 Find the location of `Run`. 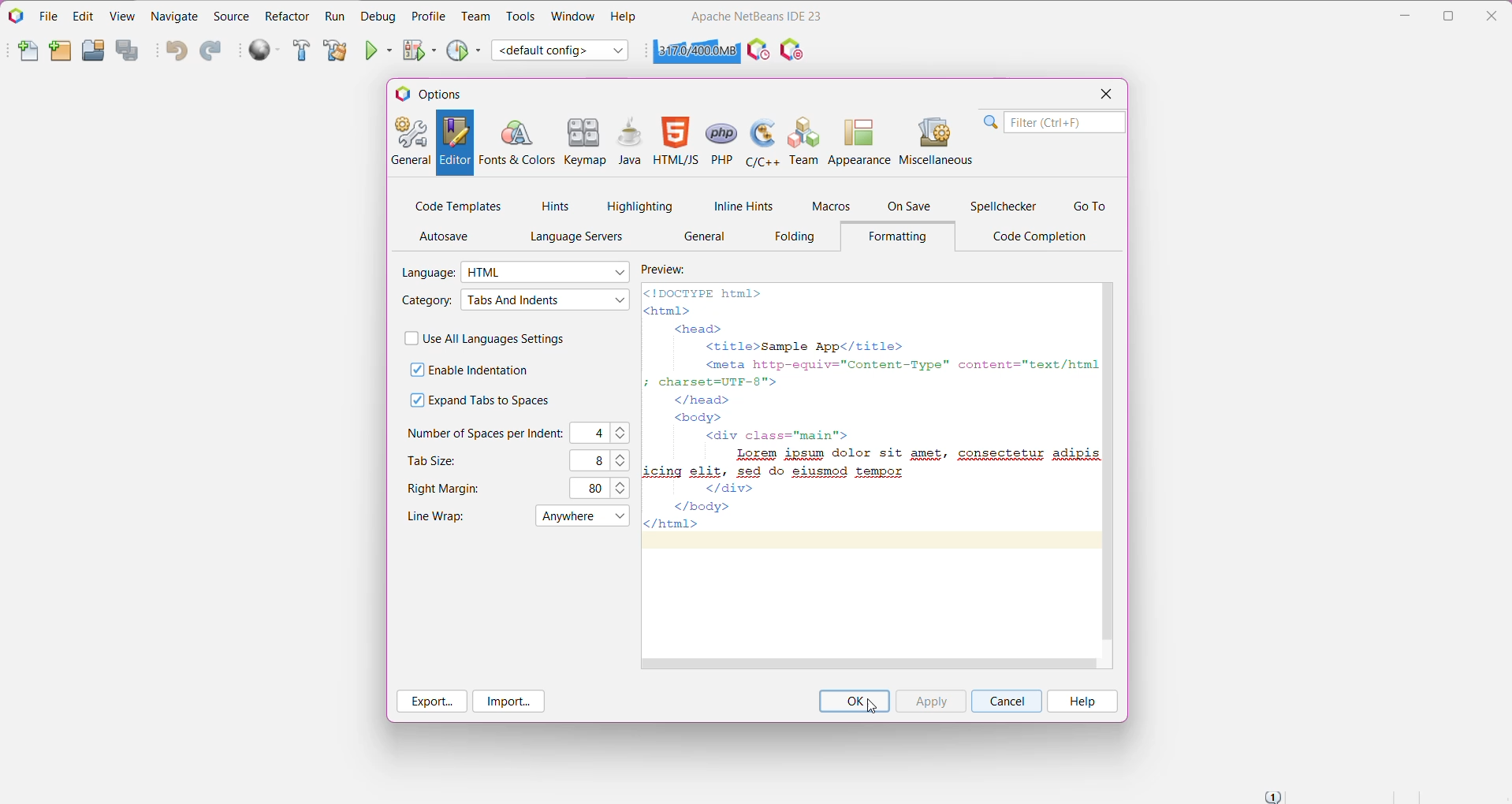

Run is located at coordinates (334, 17).